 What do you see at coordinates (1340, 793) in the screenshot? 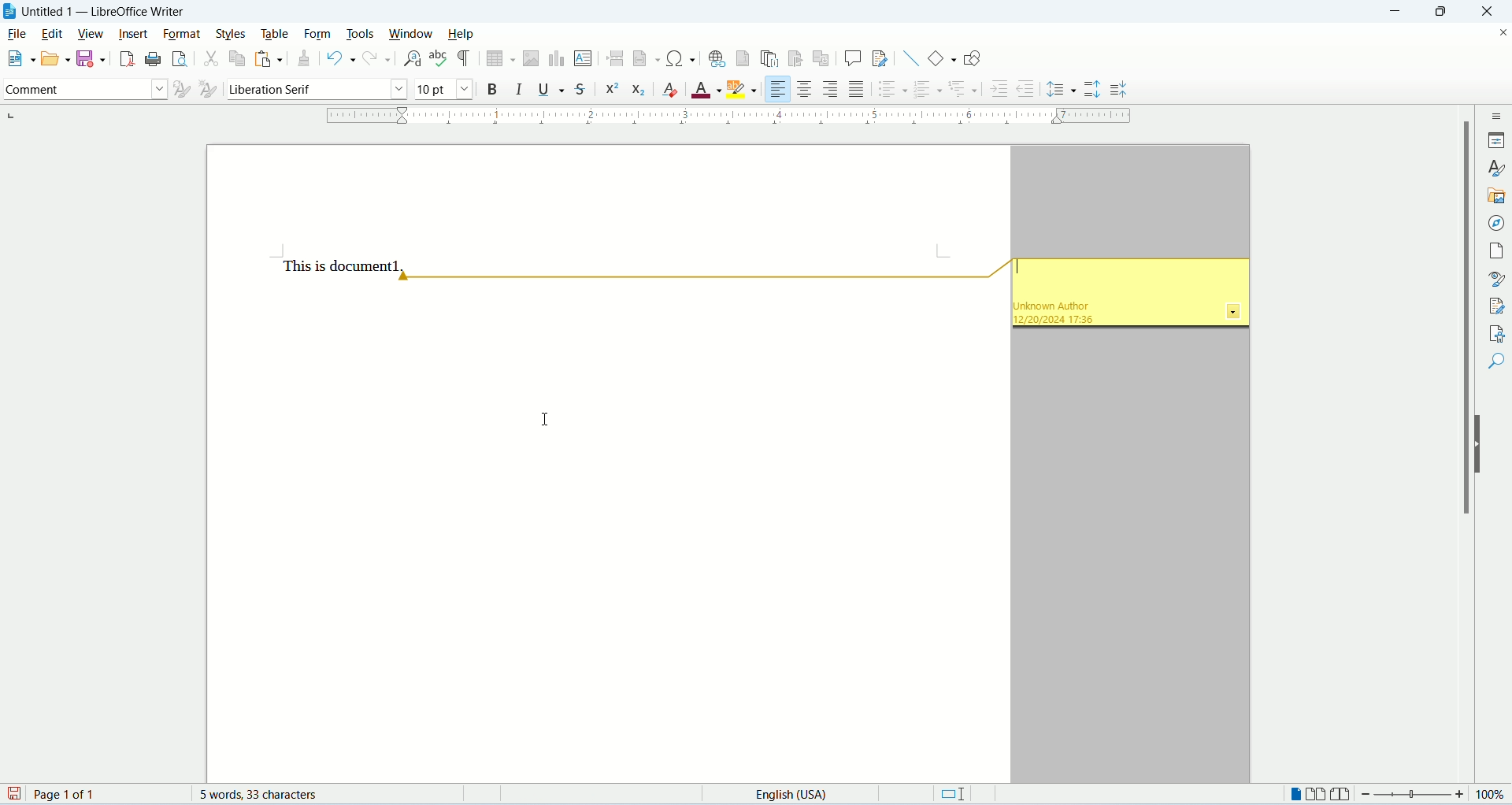
I see `book view` at bounding box center [1340, 793].